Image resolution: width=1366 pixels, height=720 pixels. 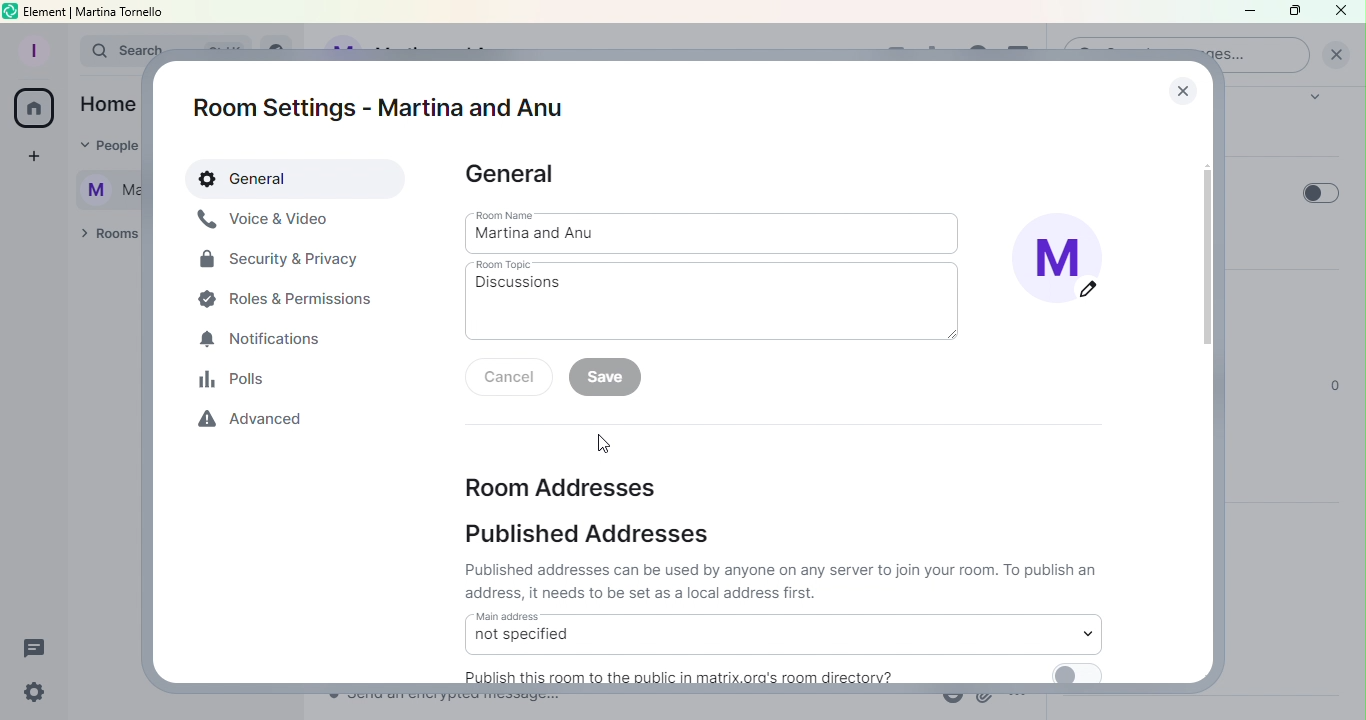 I want to click on Voice and video, so click(x=265, y=220).